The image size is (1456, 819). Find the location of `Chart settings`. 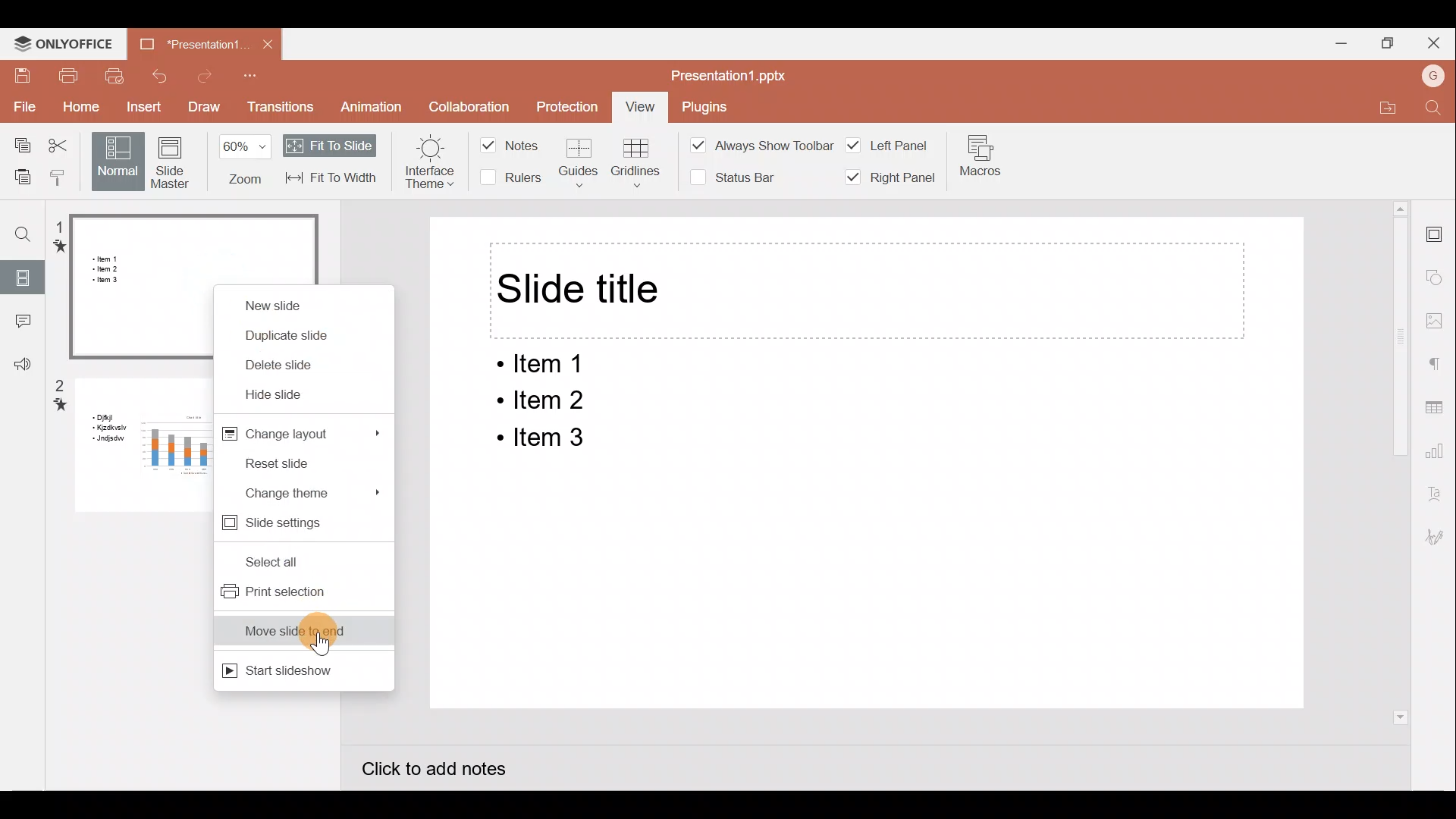

Chart settings is located at coordinates (1438, 448).